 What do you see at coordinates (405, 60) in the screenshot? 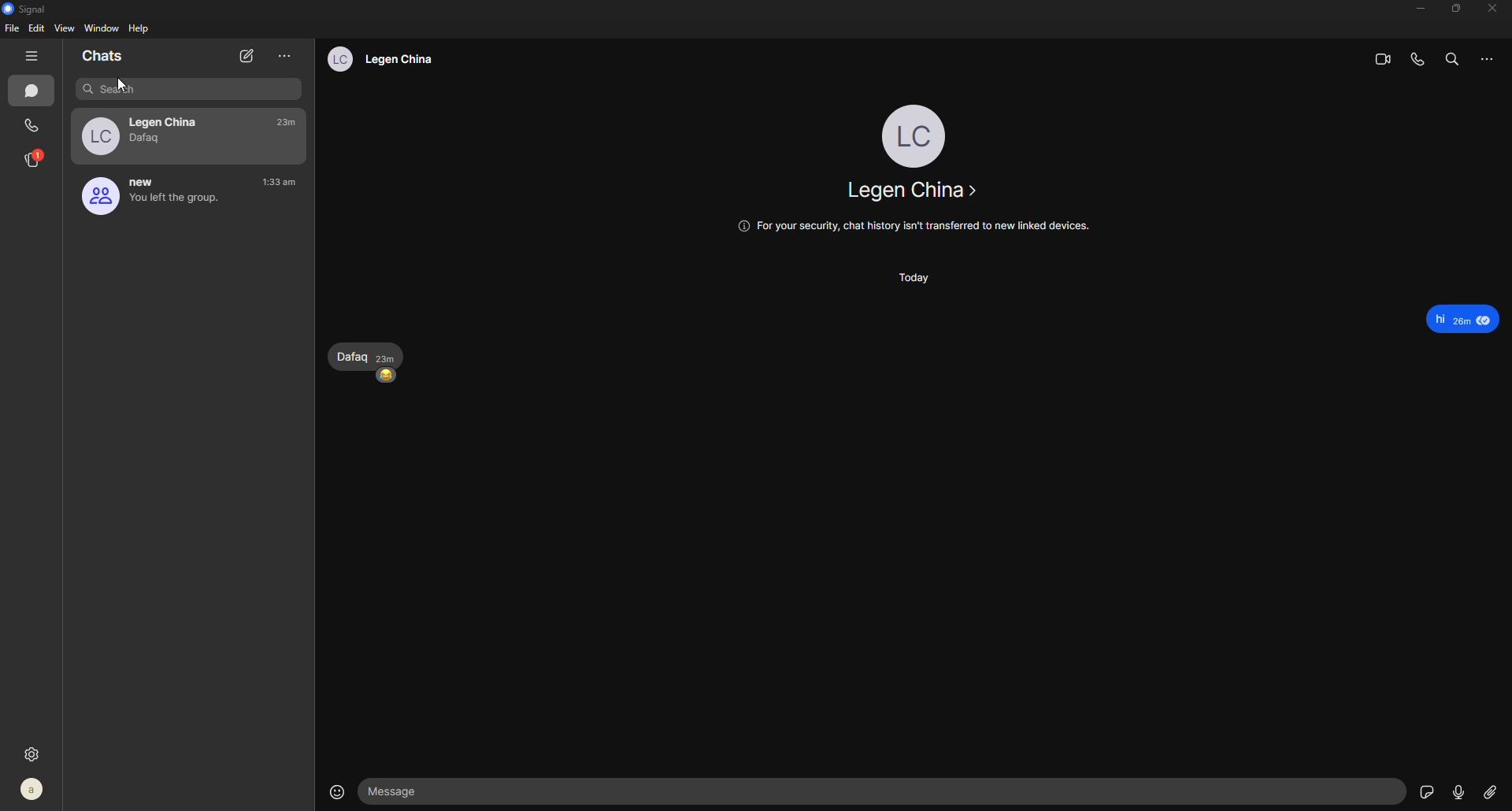
I see `legan china` at bounding box center [405, 60].